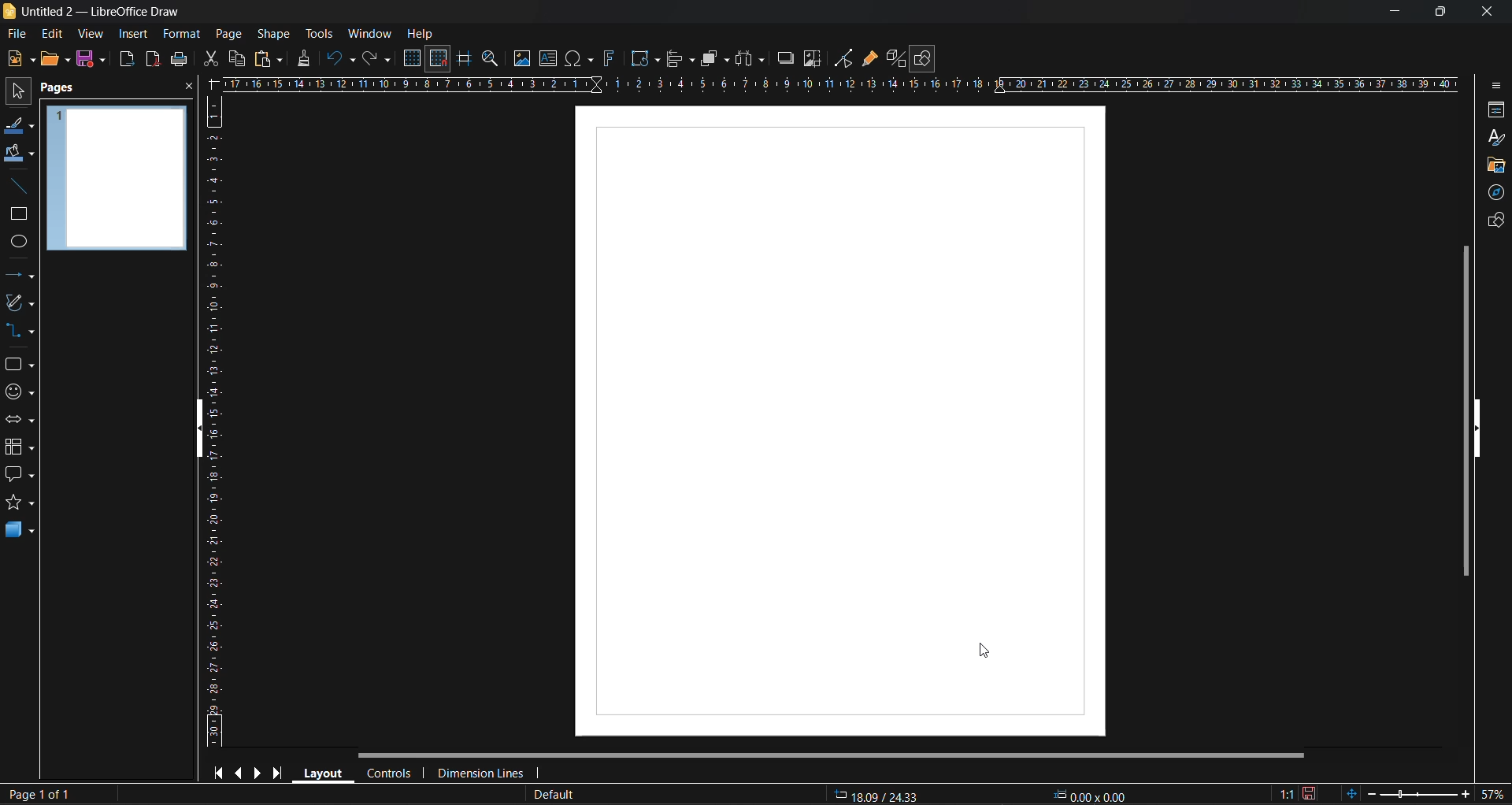 This screenshot has height=805, width=1512. What do you see at coordinates (549, 59) in the screenshot?
I see `textbox` at bounding box center [549, 59].